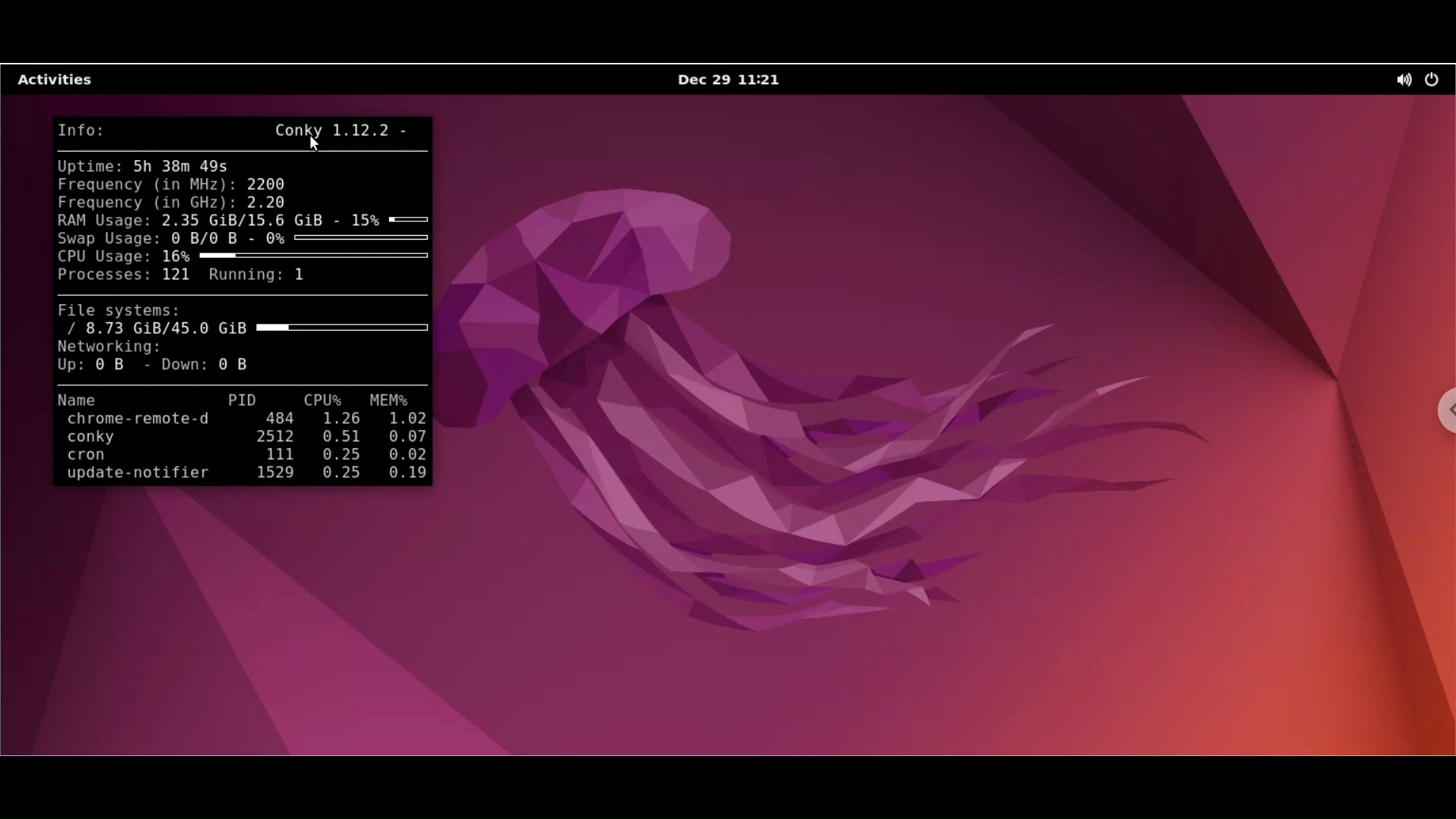  What do you see at coordinates (242, 151) in the screenshot?
I see `line` at bounding box center [242, 151].